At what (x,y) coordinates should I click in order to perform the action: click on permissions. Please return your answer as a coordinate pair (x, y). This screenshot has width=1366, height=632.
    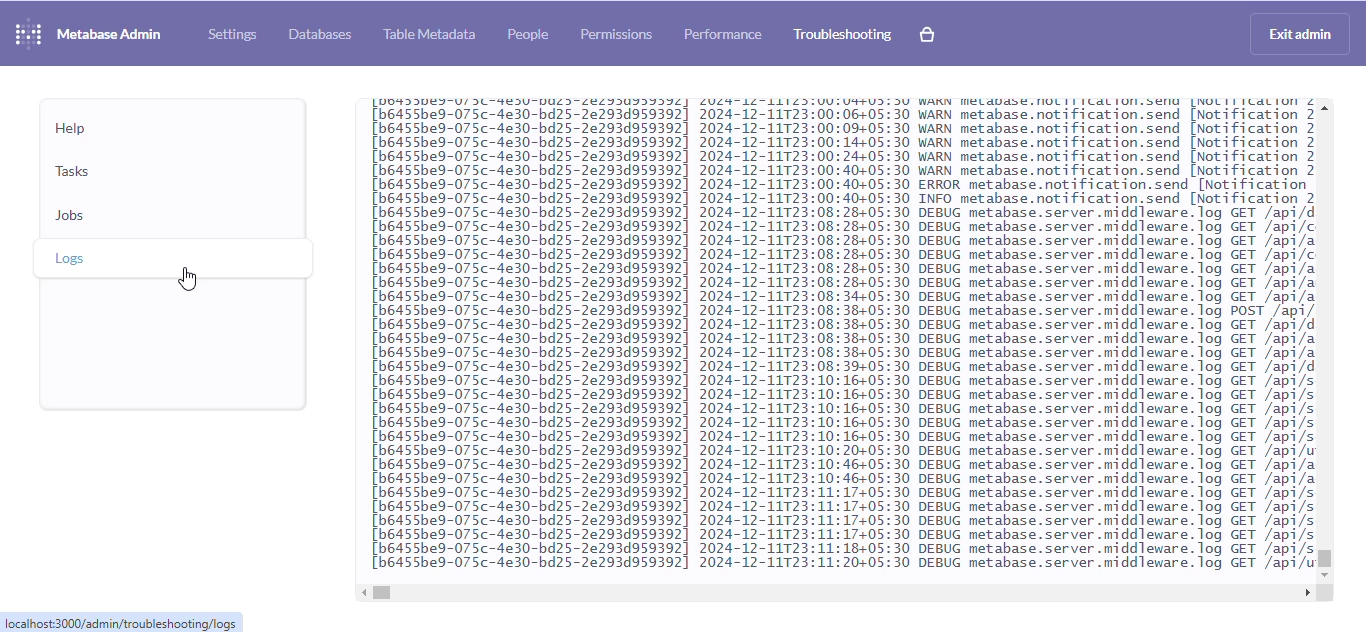
    Looking at the image, I should click on (617, 35).